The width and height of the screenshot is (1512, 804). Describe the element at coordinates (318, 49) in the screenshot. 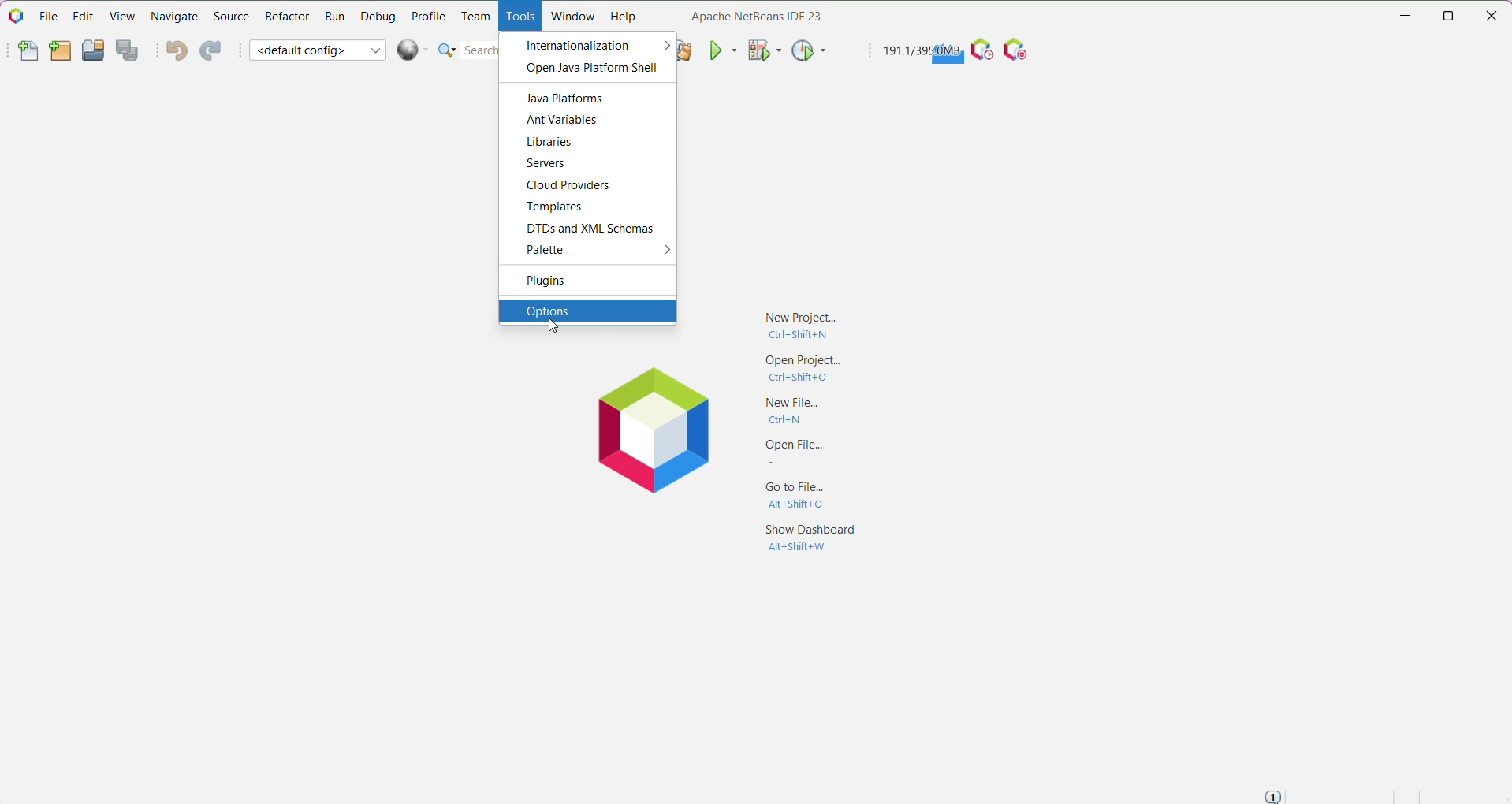

I see `Set Project Configuration` at that location.